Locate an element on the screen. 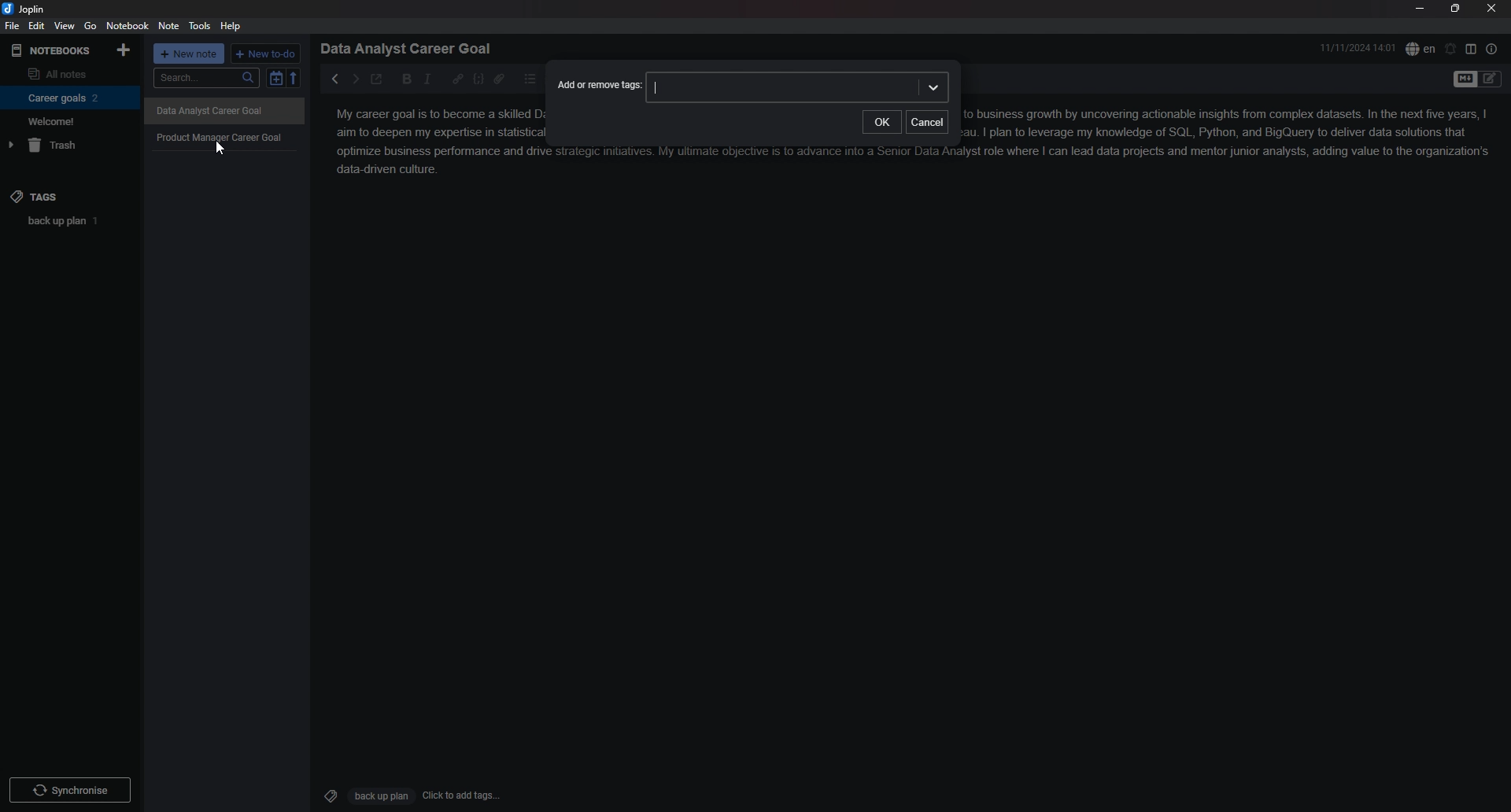 The height and width of the screenshot is (812, 1511). spell check is located at coordinates (1420, 49).